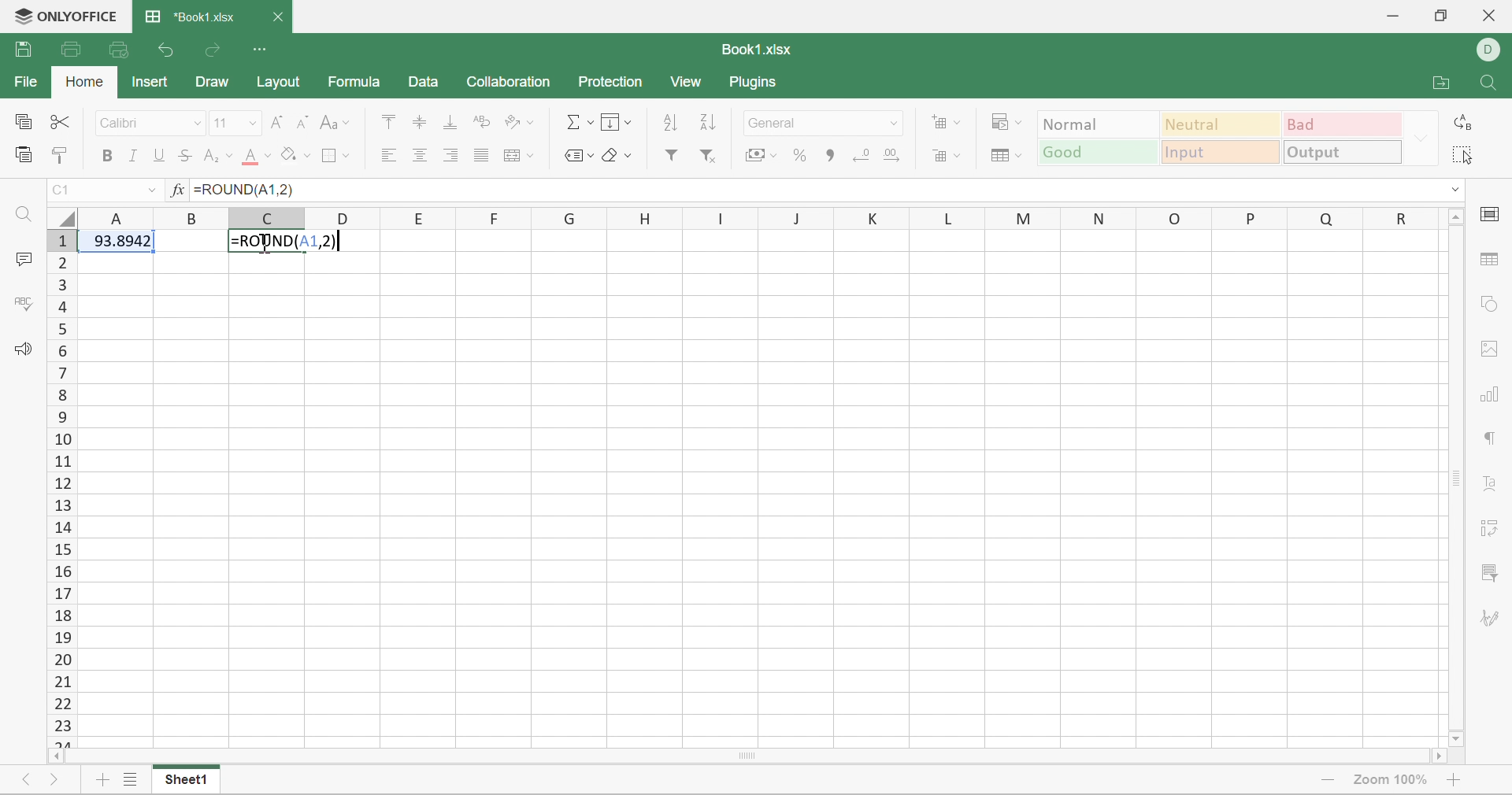 The height and width of the screenshot is (795, 1512). I want to click on Sheet1, so click(183, 782).